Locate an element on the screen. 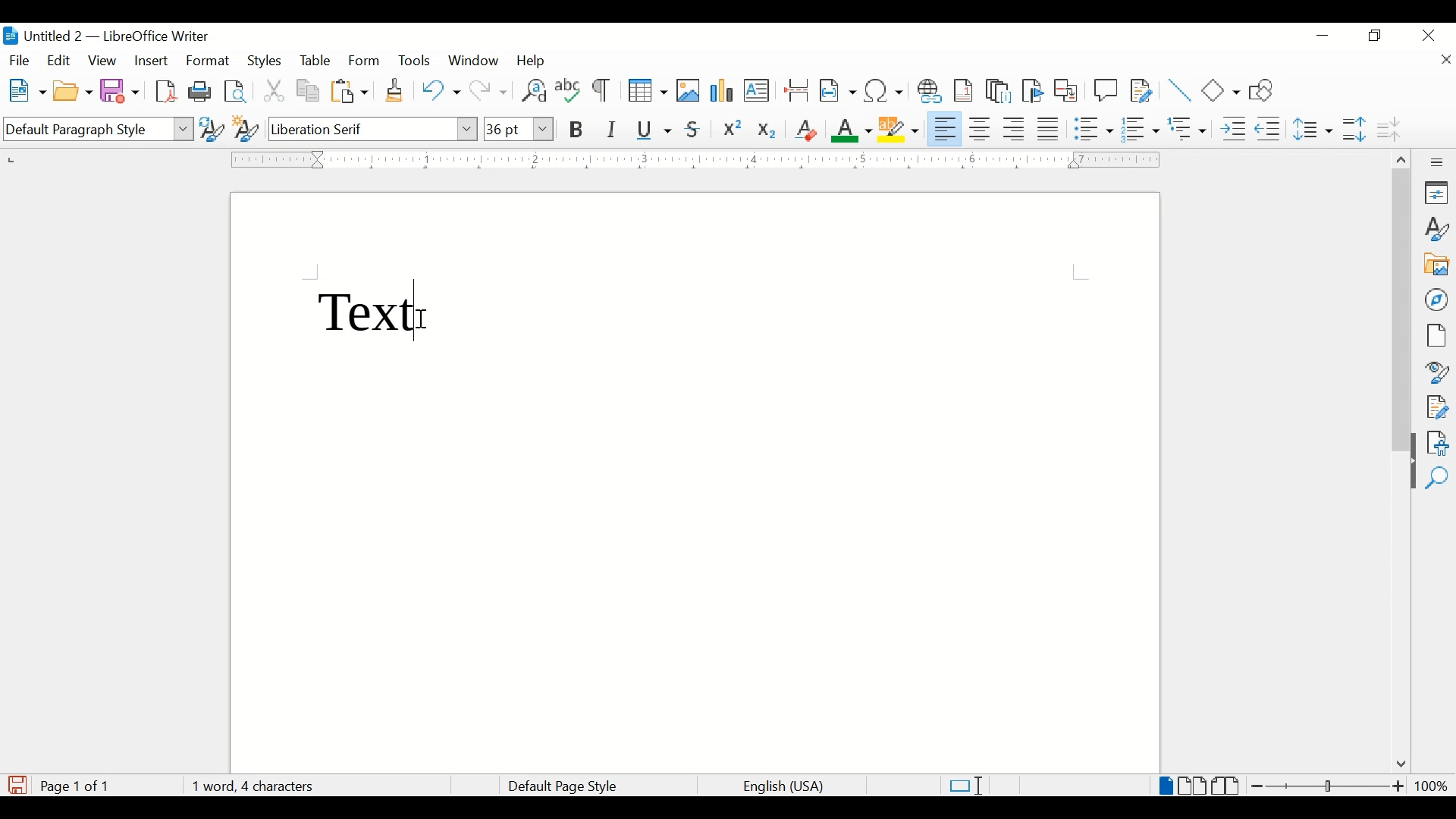 Image resolution: width=1456 pixels, height=819 pixels. font color is located at coordinates (852, 130).